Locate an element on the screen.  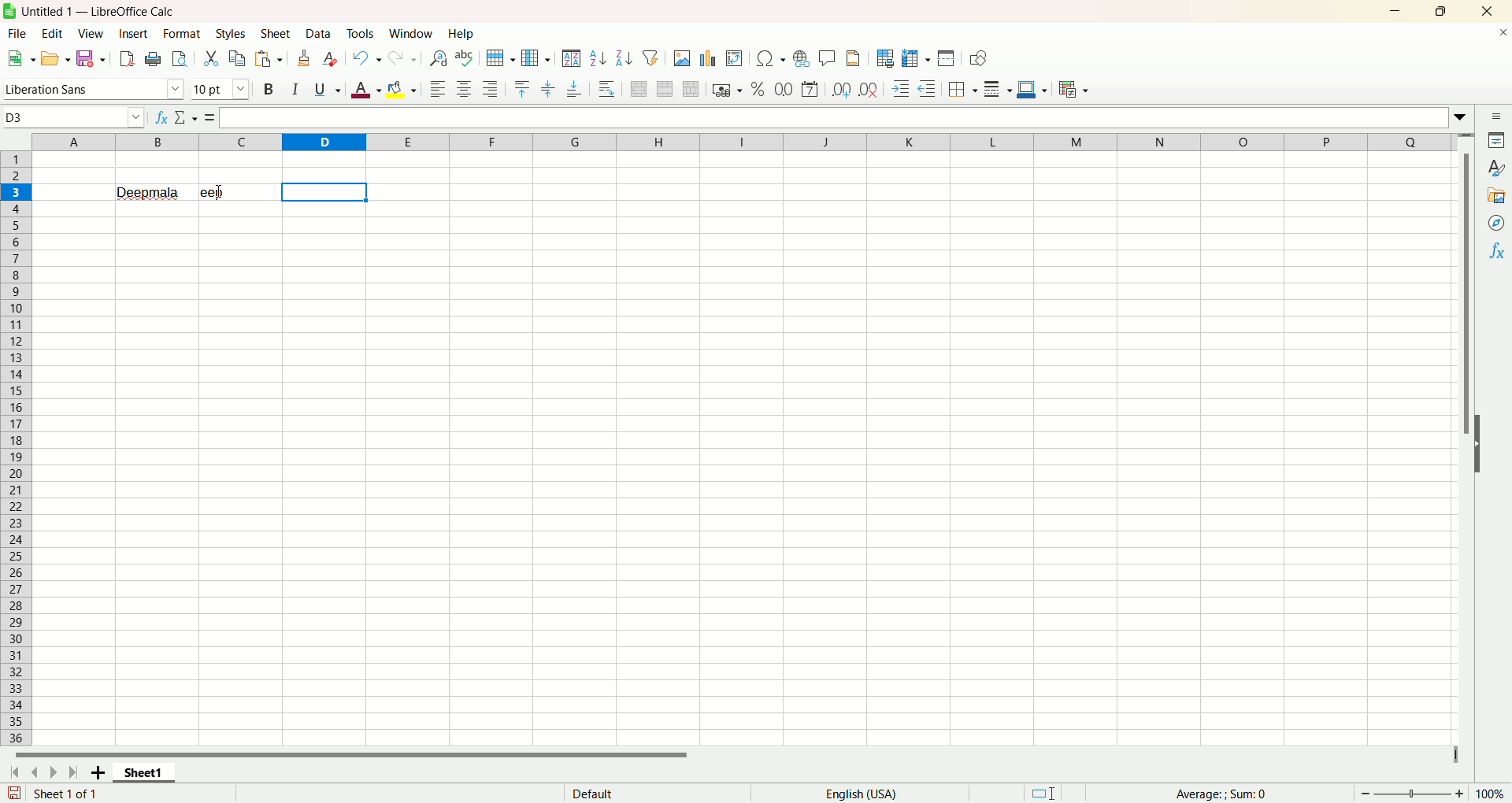
Text language is located at coordinates (862, 794).